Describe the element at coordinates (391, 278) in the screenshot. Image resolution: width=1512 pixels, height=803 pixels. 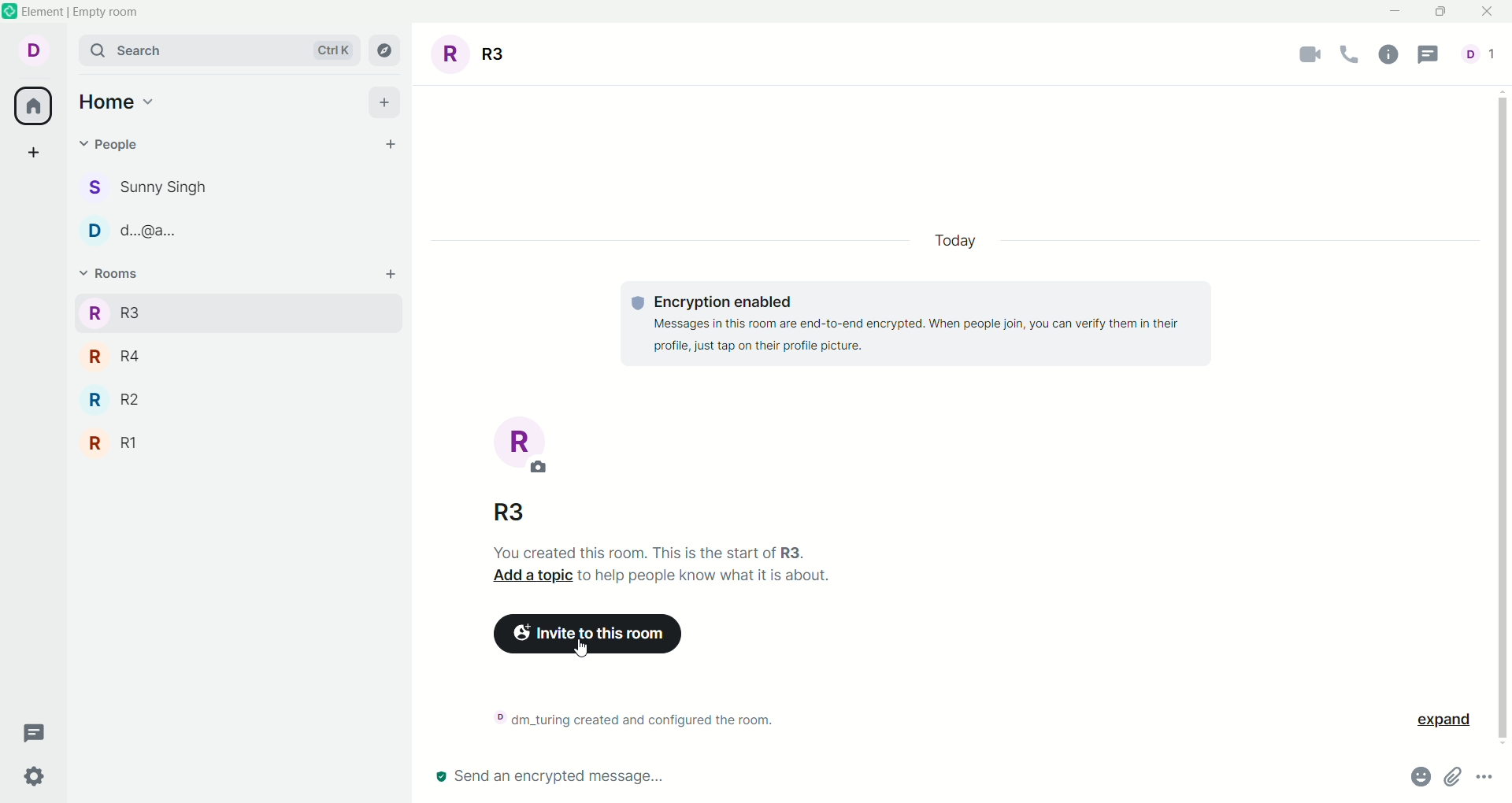
I see `add` at that location.